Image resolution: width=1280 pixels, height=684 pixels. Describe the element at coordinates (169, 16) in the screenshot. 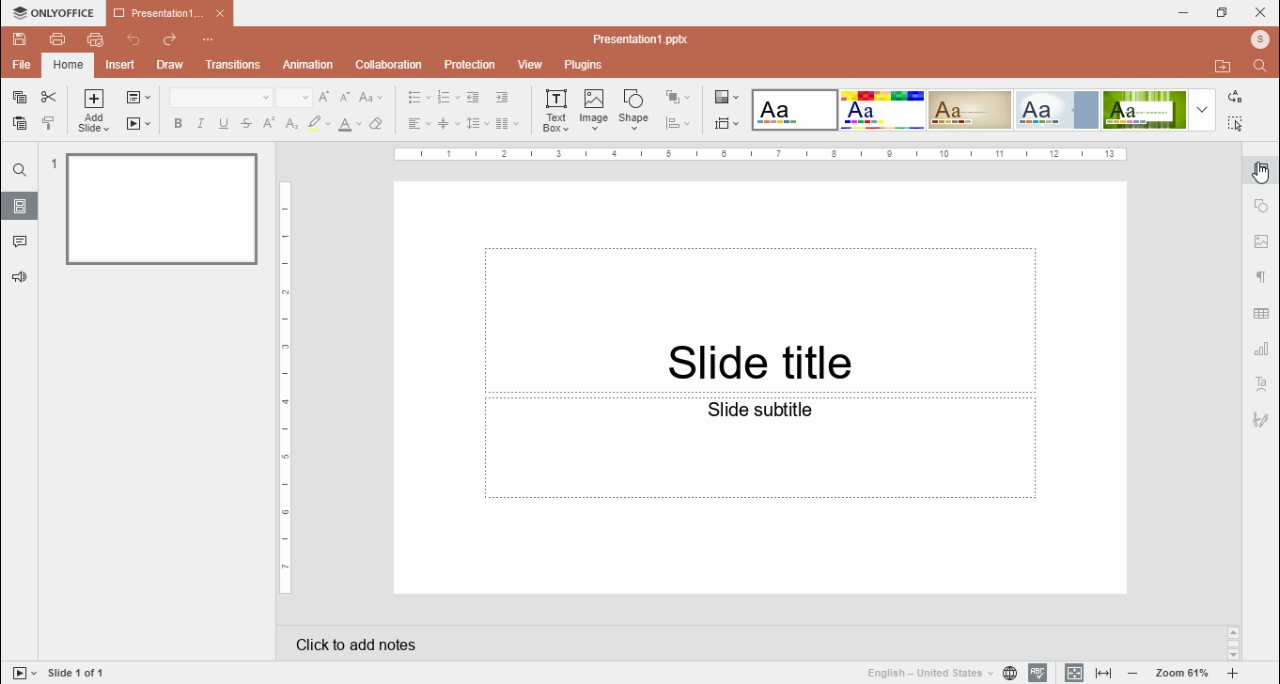

I see `presentation 1` at that location.